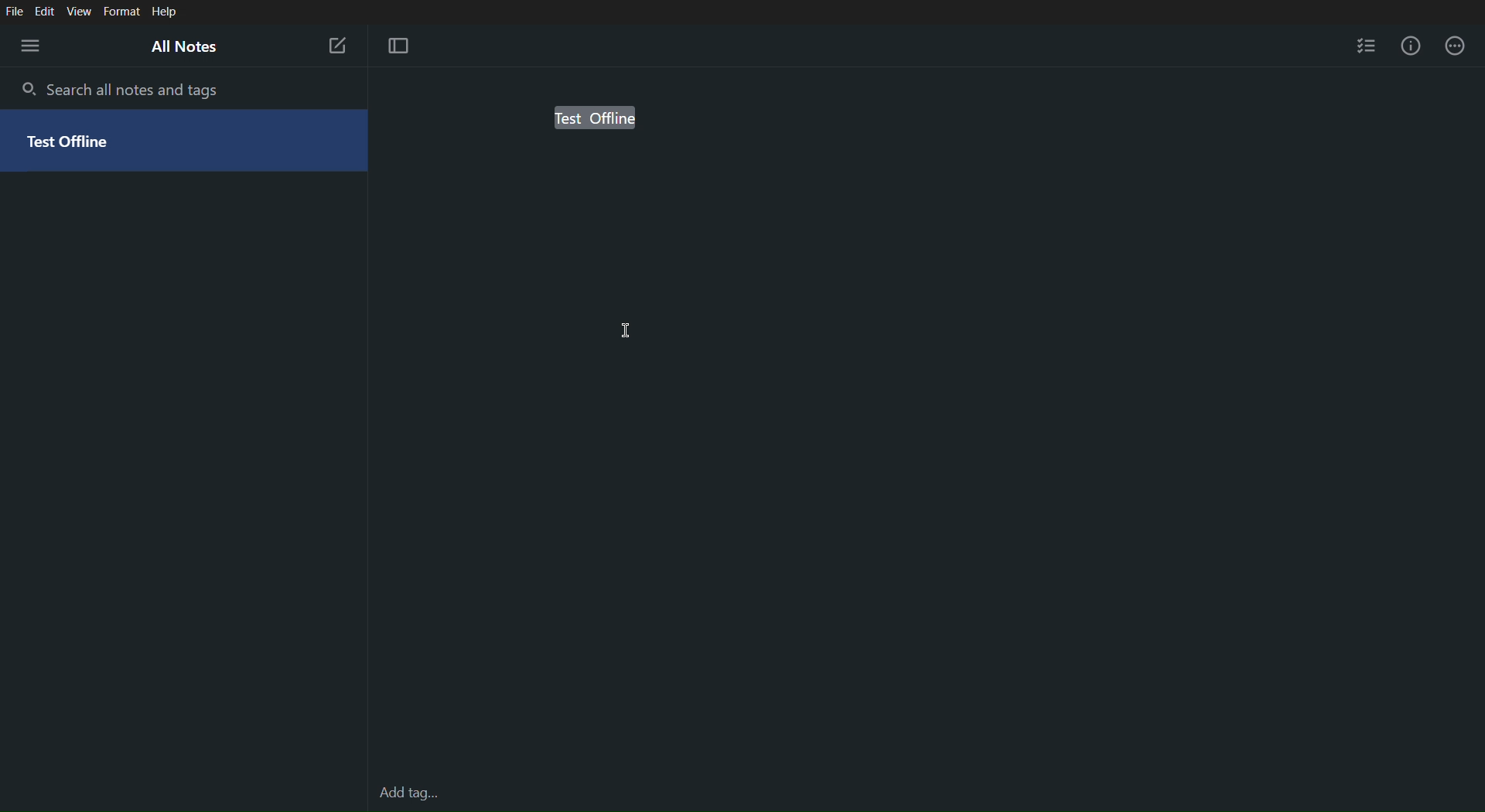 This screenshot has height=812, width=1485. I want to click on File, so click(15, 9).